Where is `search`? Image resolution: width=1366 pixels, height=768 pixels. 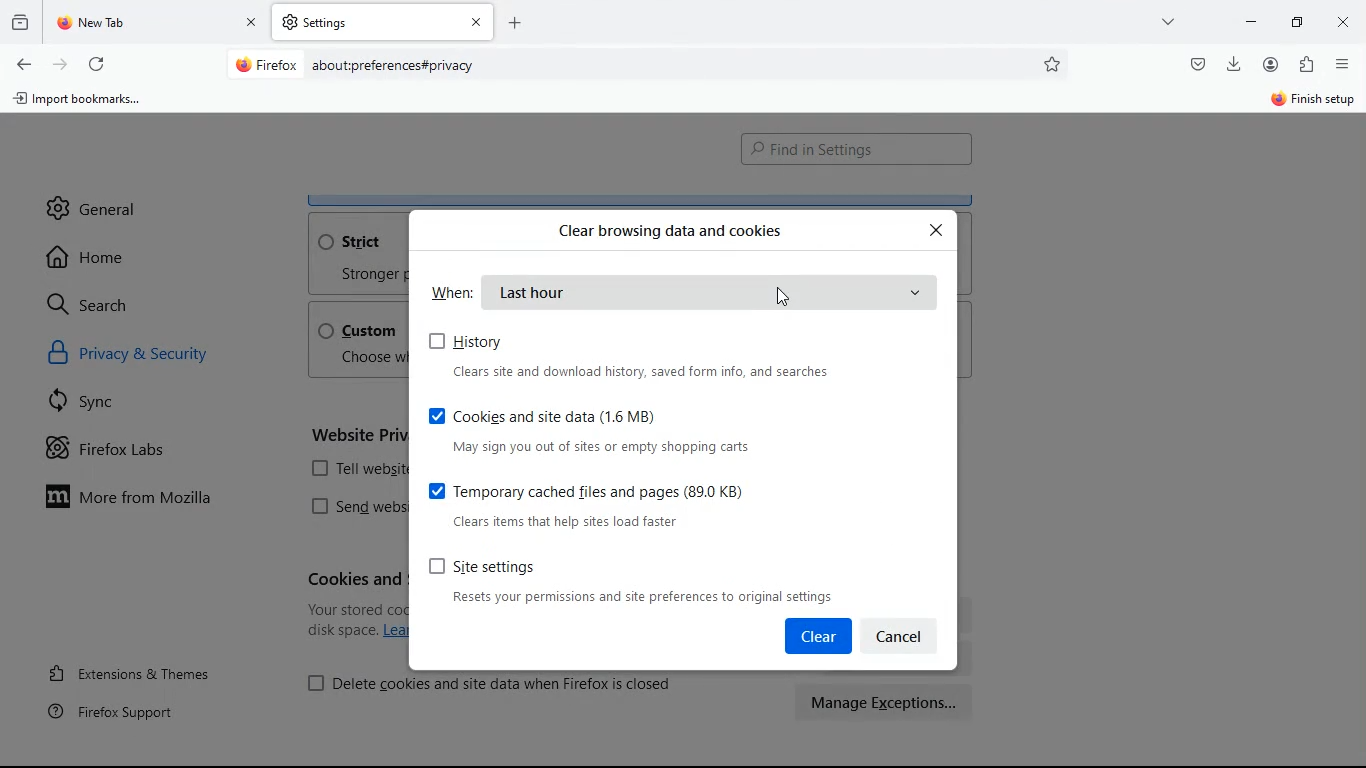 search is located at coordinates (100, 304).